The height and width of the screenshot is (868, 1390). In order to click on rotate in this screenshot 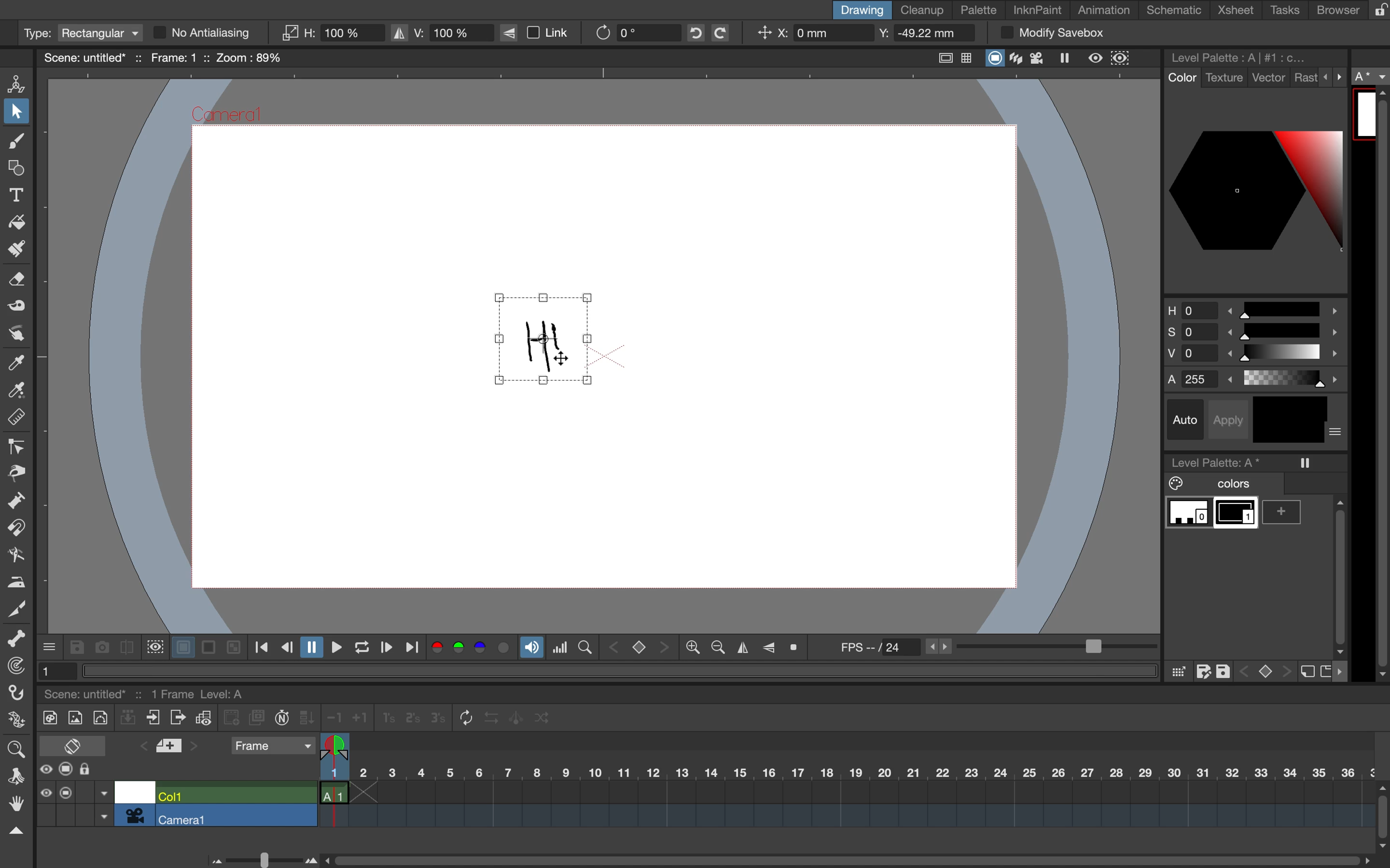, I will do `click(628, 32)`.